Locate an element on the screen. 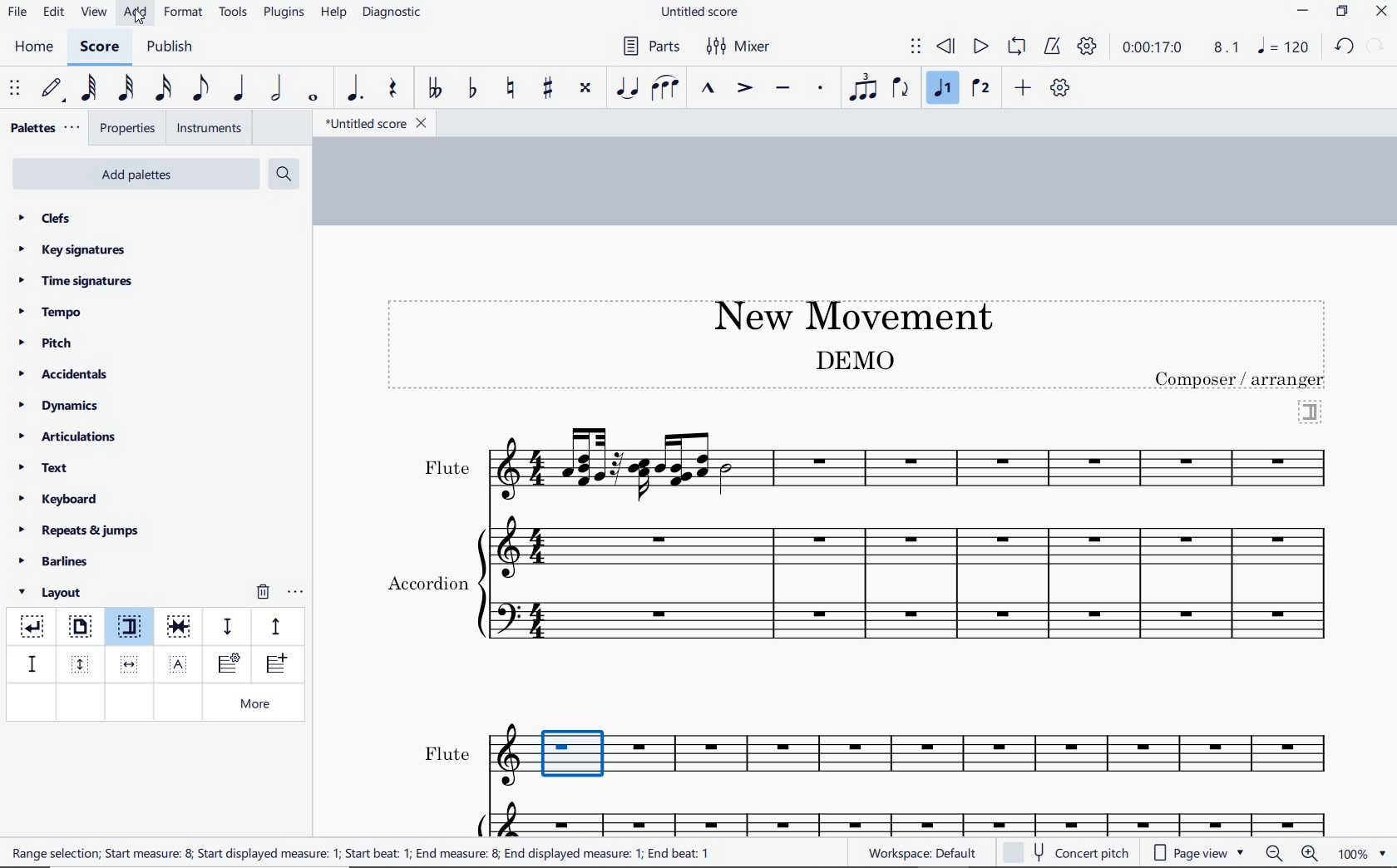 The width and height of the screenshot is (1397, 868). zoom in is located at coordinates (1313, 855).